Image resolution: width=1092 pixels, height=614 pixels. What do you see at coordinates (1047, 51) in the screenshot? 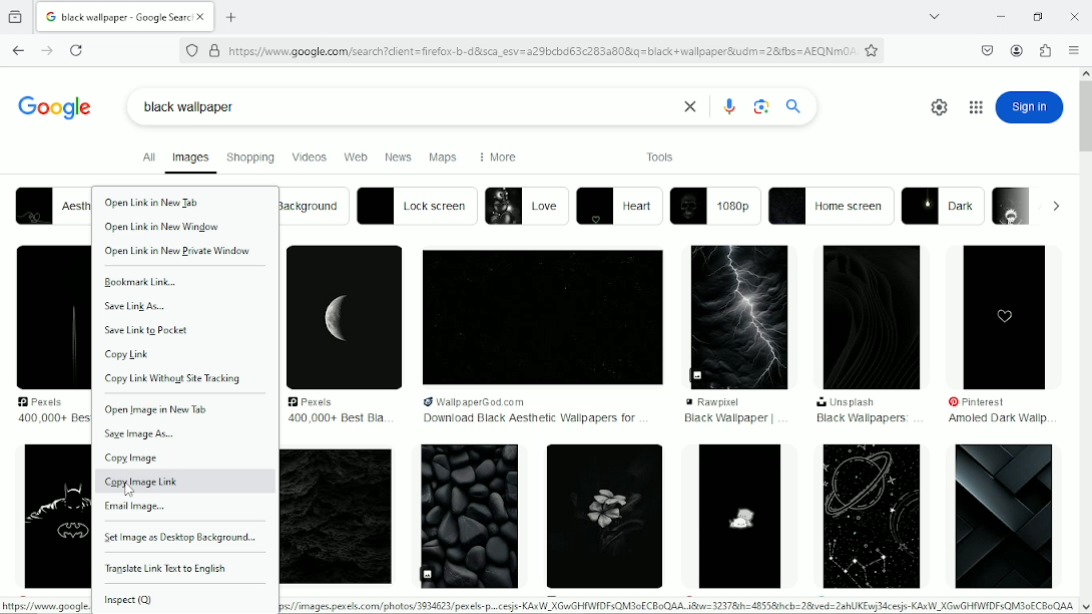
I see `Extensions` at bounding box center [1047, 51].